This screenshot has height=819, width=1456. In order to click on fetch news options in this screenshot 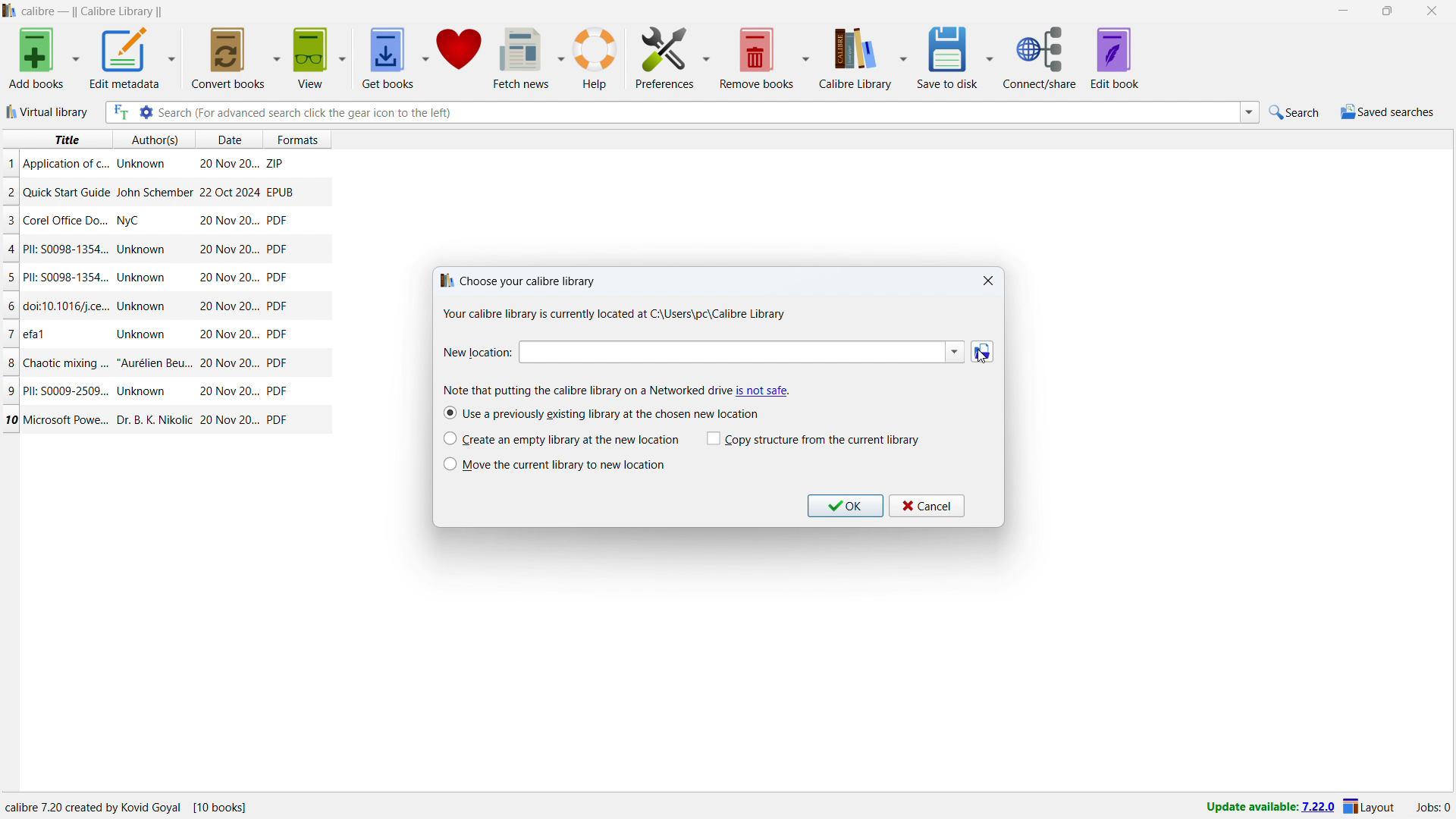, I will do `click(563, 57)`.